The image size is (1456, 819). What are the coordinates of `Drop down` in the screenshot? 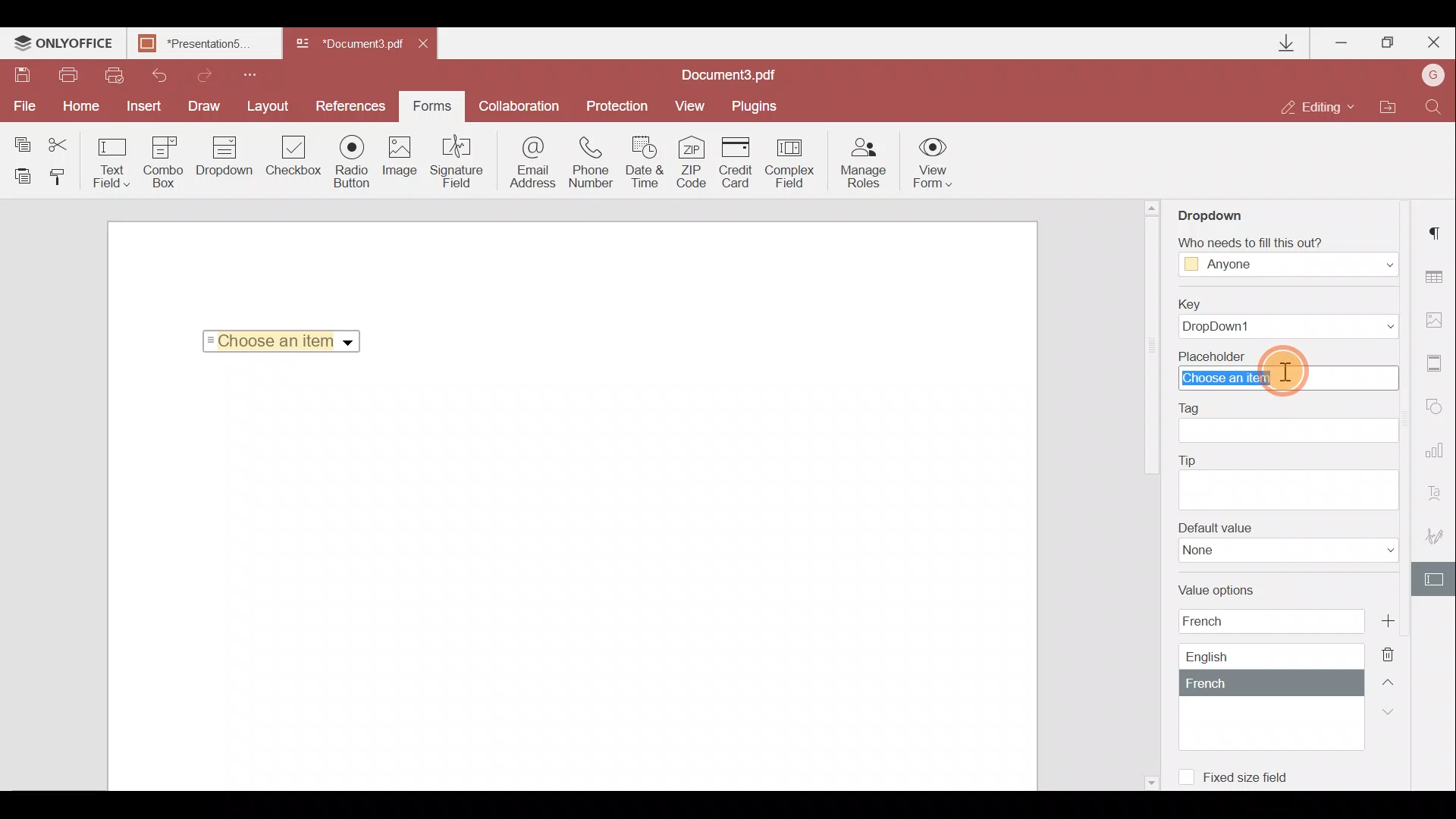 It's located at (224, 158).